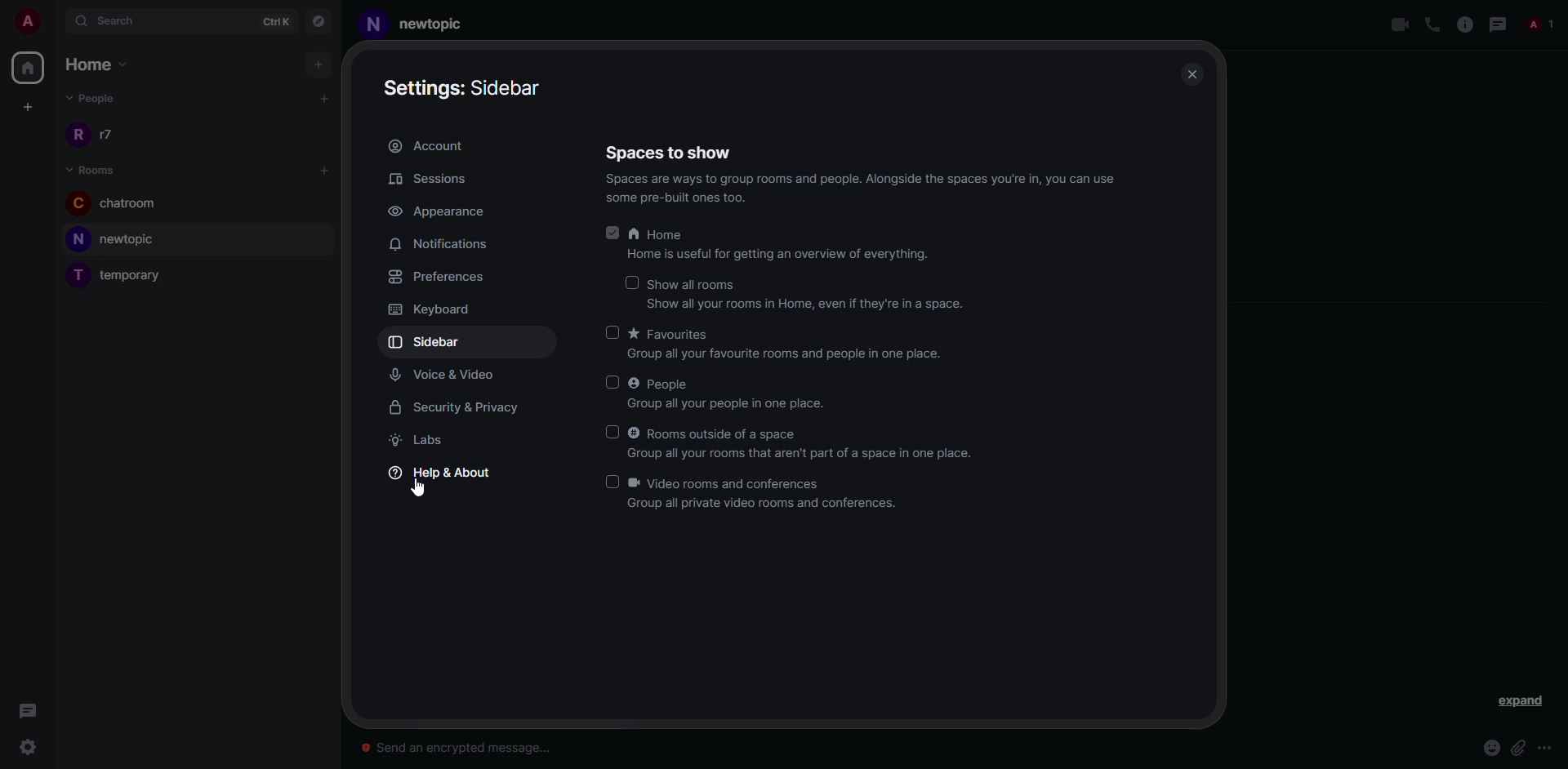  I want to click on room, so click(121, 240).